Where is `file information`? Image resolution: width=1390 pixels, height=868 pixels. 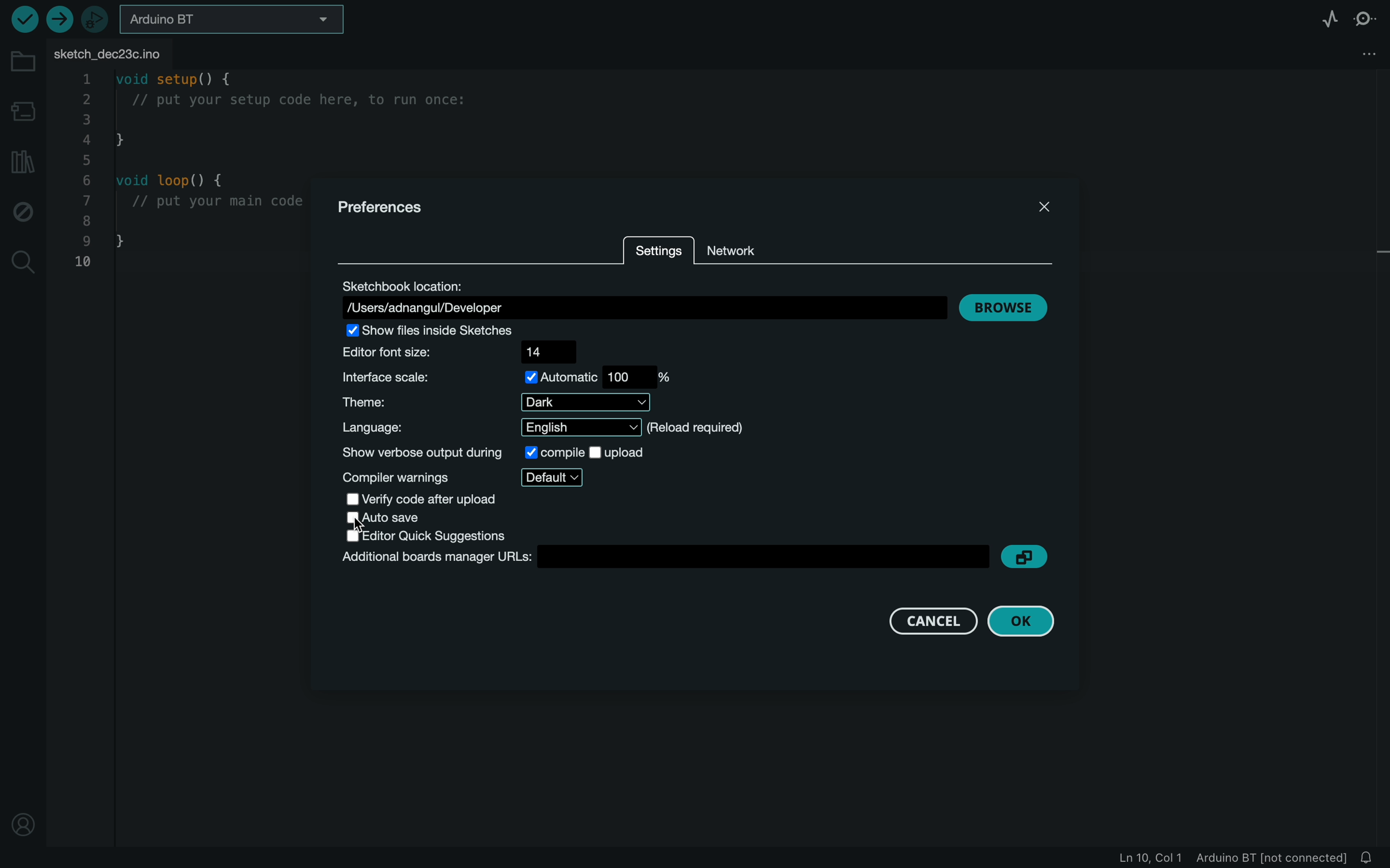 file information is located at coordinates (1226, 858).